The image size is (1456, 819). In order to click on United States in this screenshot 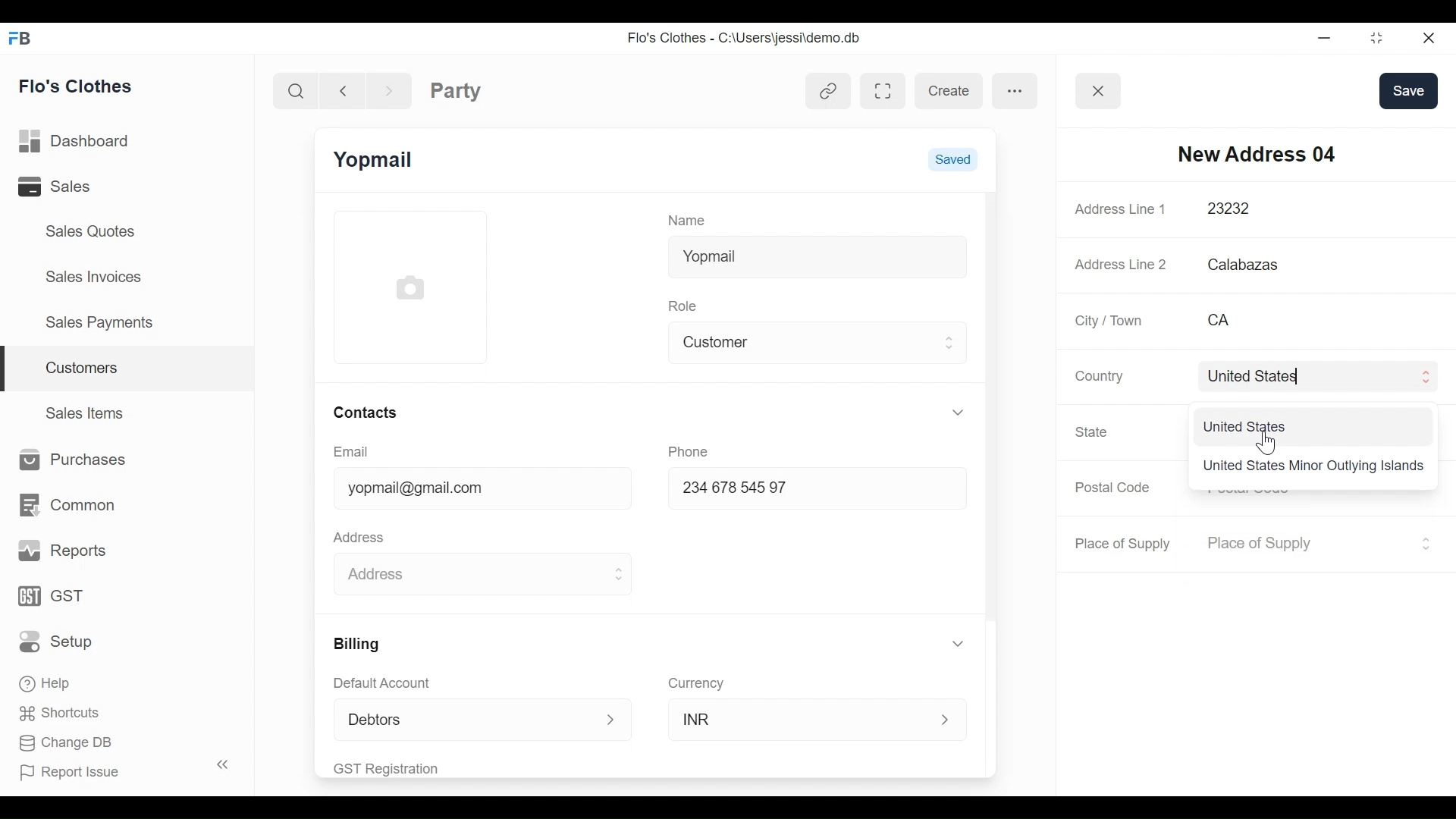, I will do `click(1301, 375)`.